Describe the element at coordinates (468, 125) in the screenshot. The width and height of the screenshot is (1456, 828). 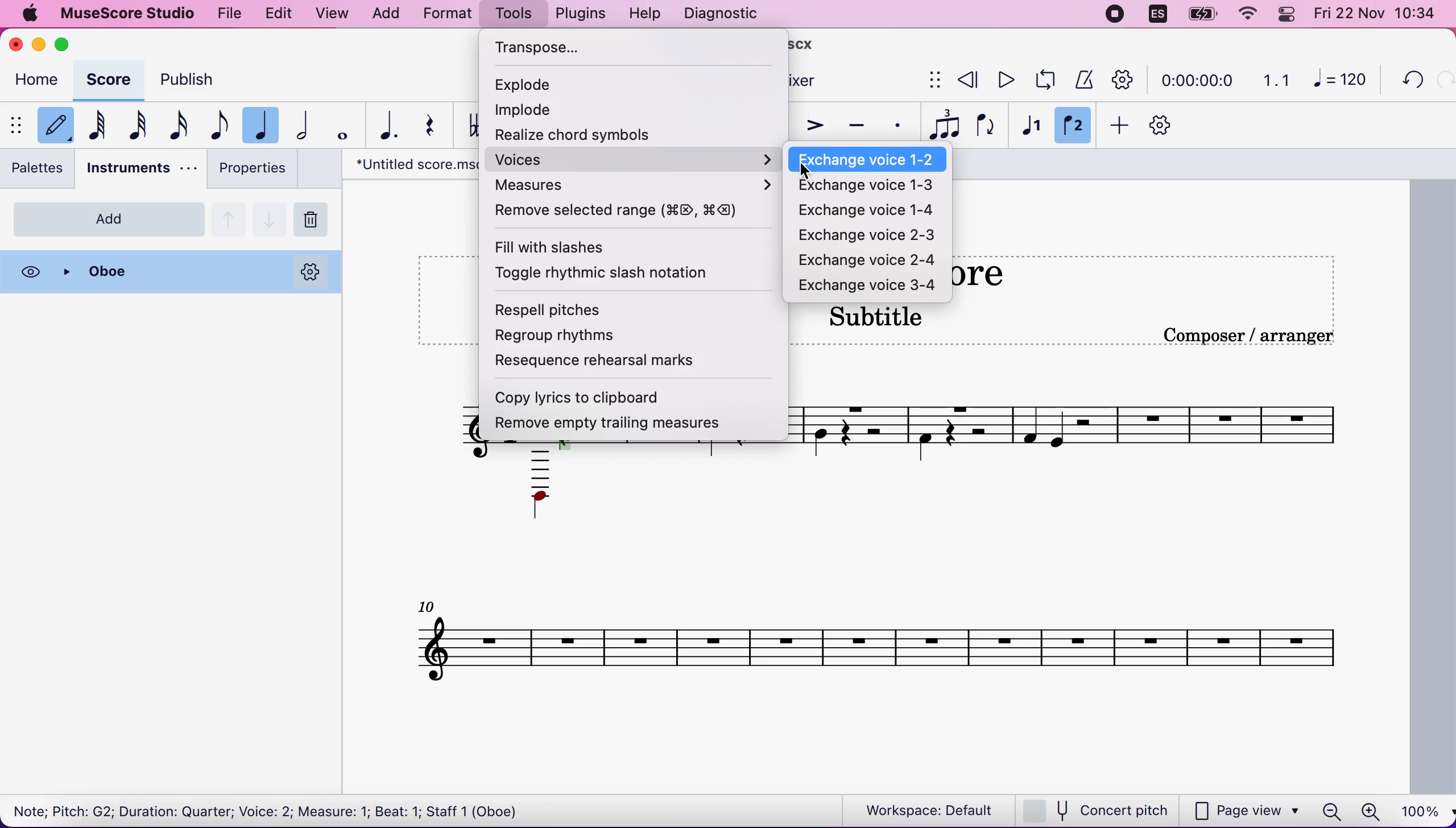
I see `toggle double flat` at that location.